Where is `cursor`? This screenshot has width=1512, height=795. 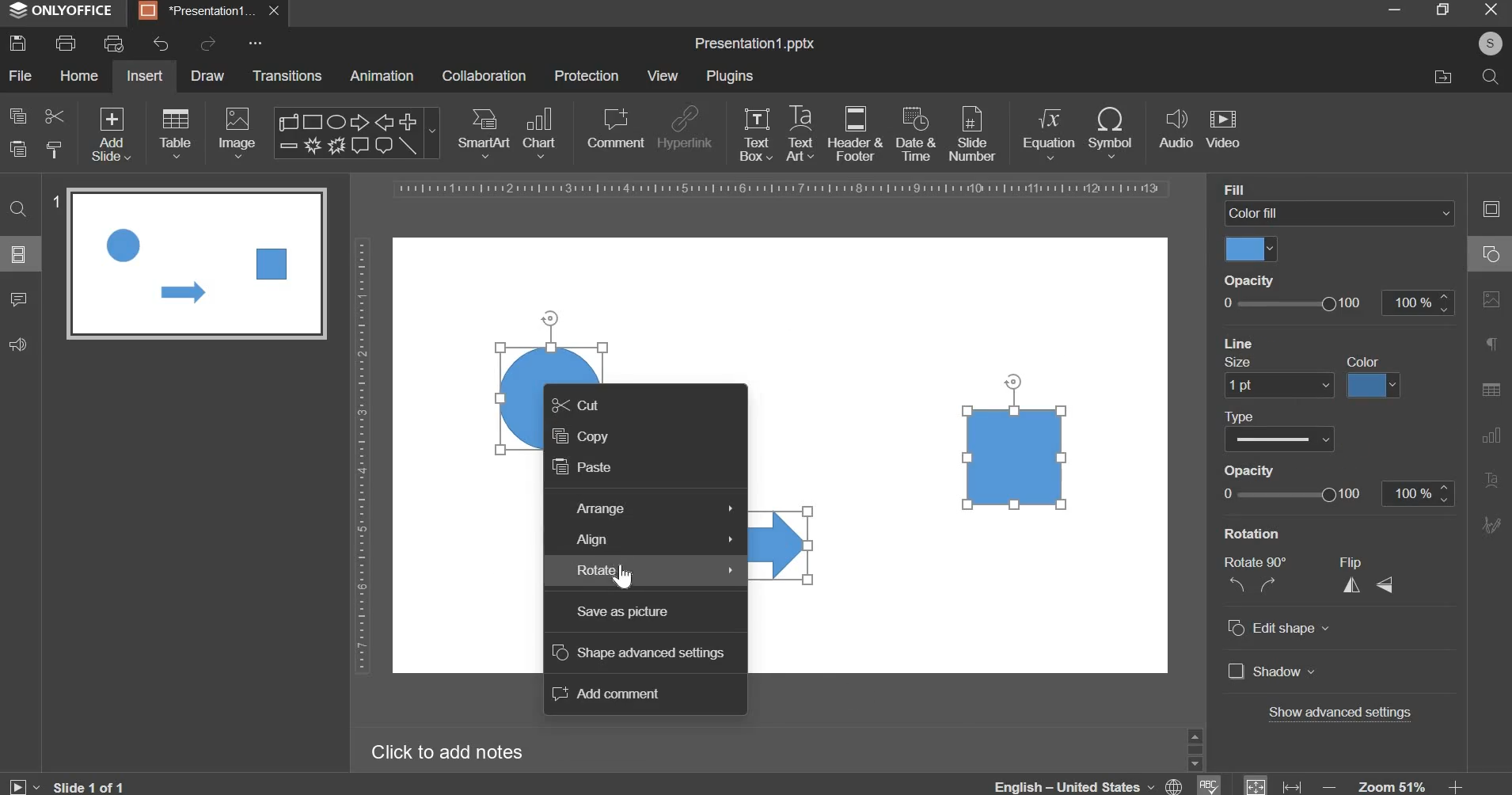 cursor is located at coordinates (621, 576).